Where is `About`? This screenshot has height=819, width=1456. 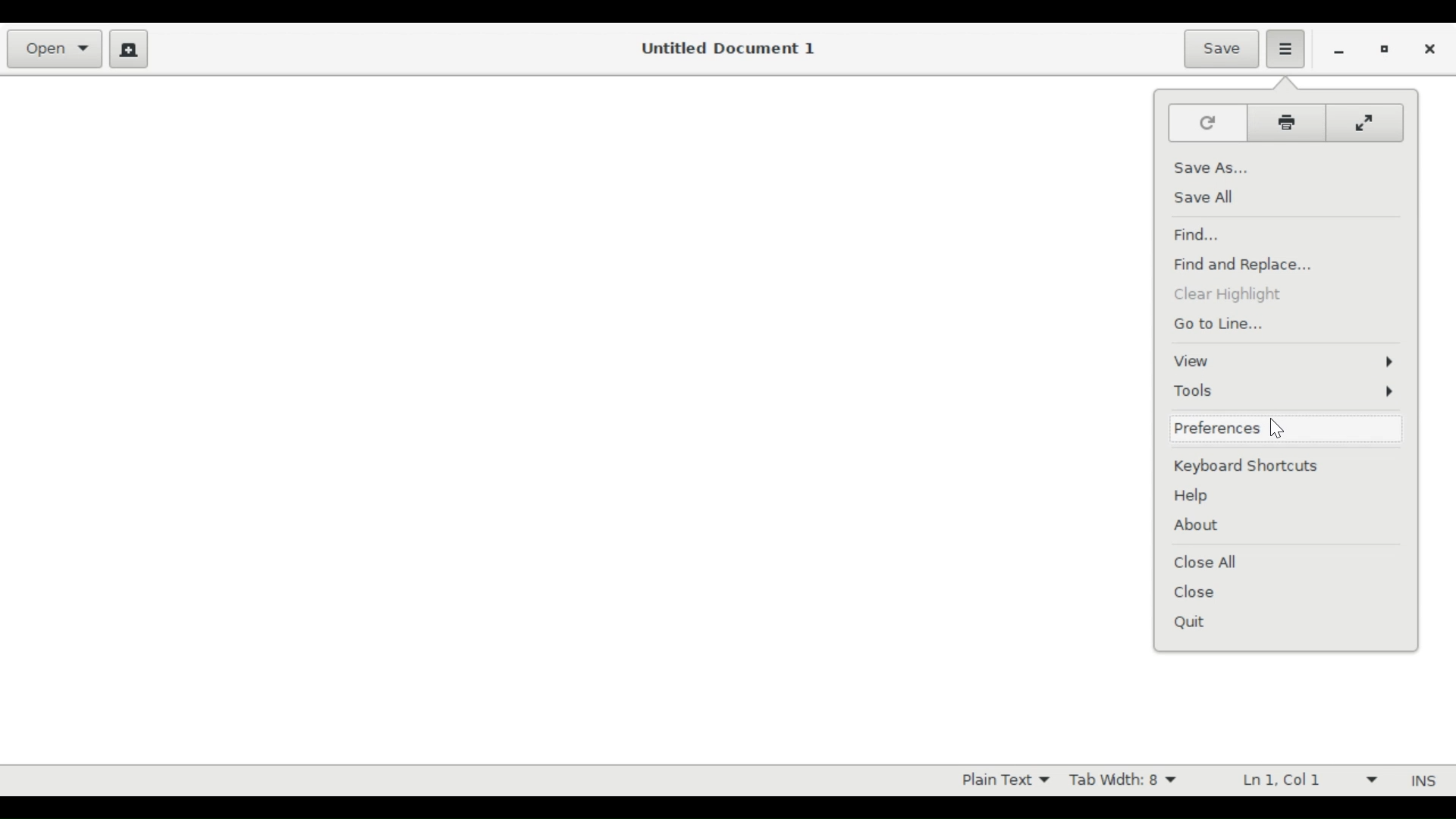 About is located at coordinates (1199, 526).